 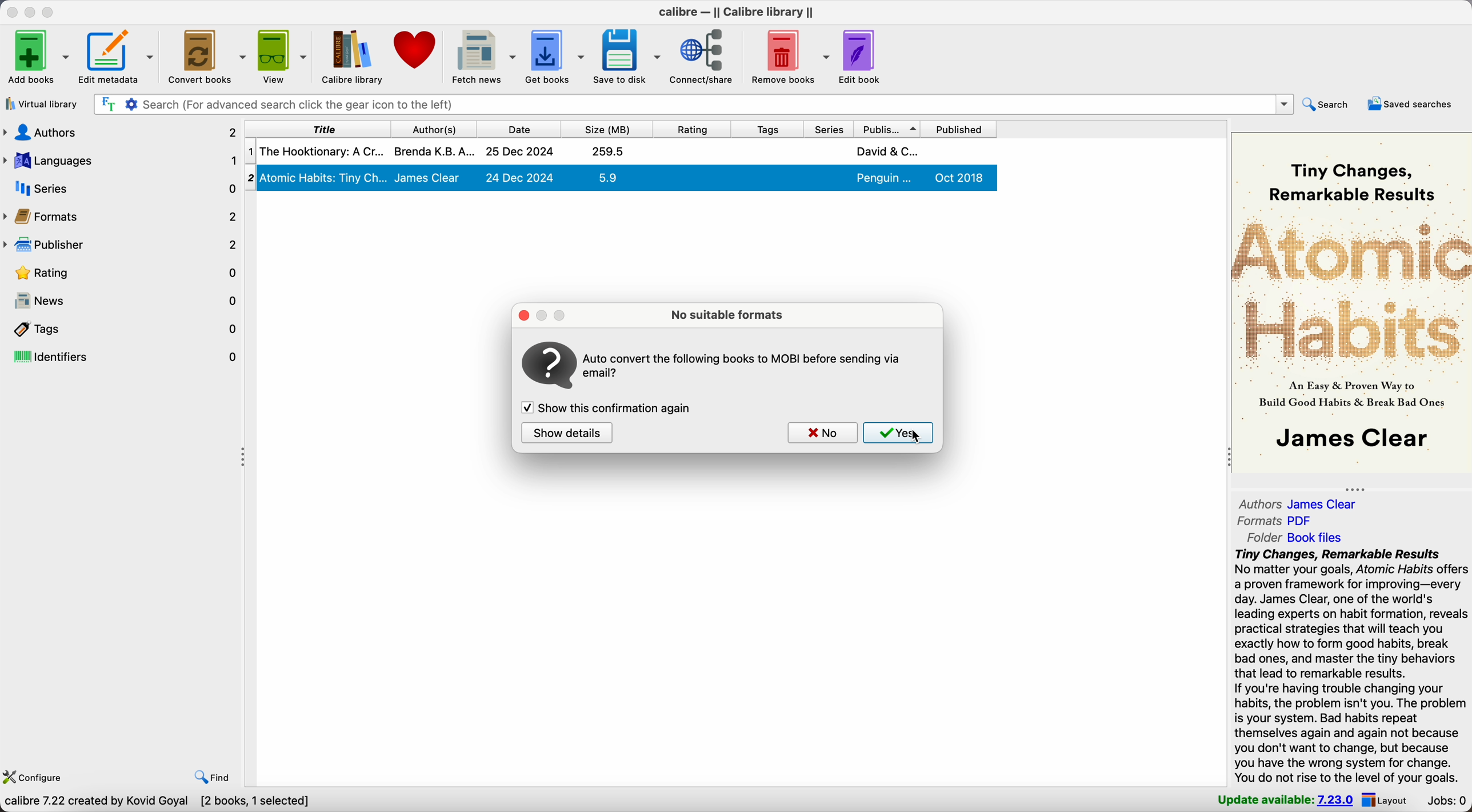 What do you see at coordinates (122, 301) in the screenshot?
I see `news` at bounding box center [122, 301].